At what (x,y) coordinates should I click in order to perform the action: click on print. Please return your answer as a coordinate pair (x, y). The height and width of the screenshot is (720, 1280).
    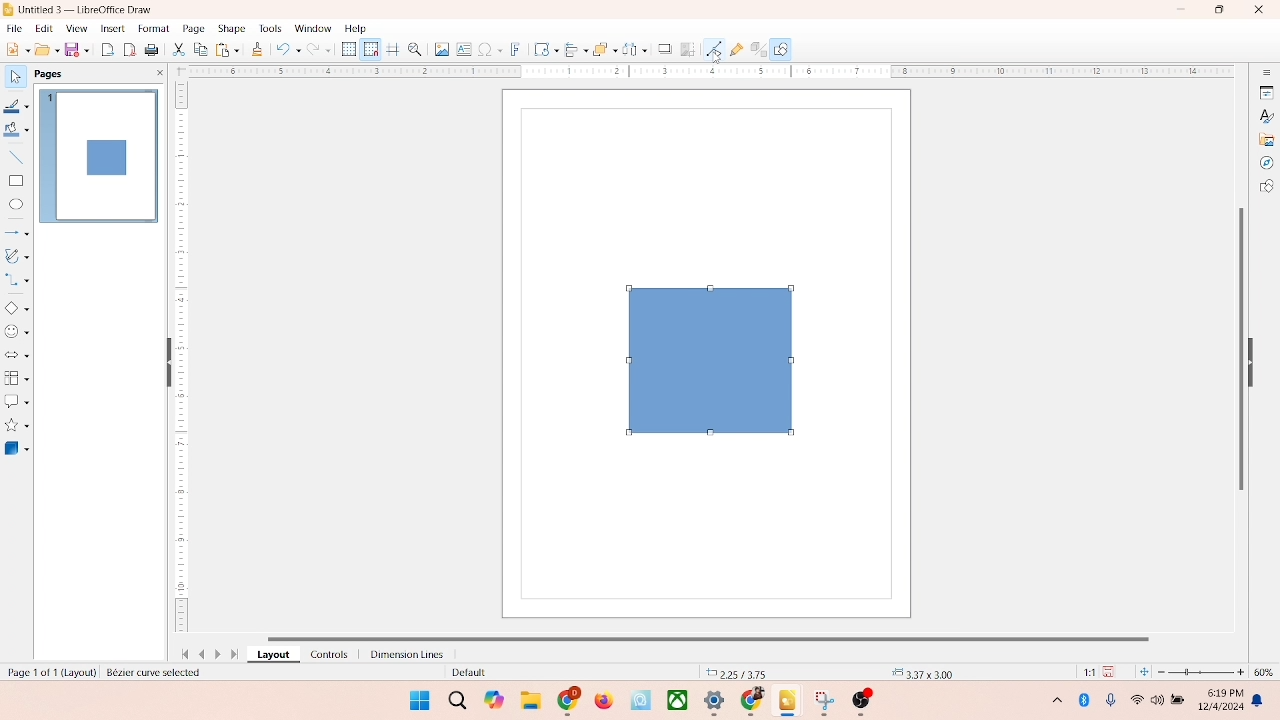
    Looking at the image, I should click on (154, 51).